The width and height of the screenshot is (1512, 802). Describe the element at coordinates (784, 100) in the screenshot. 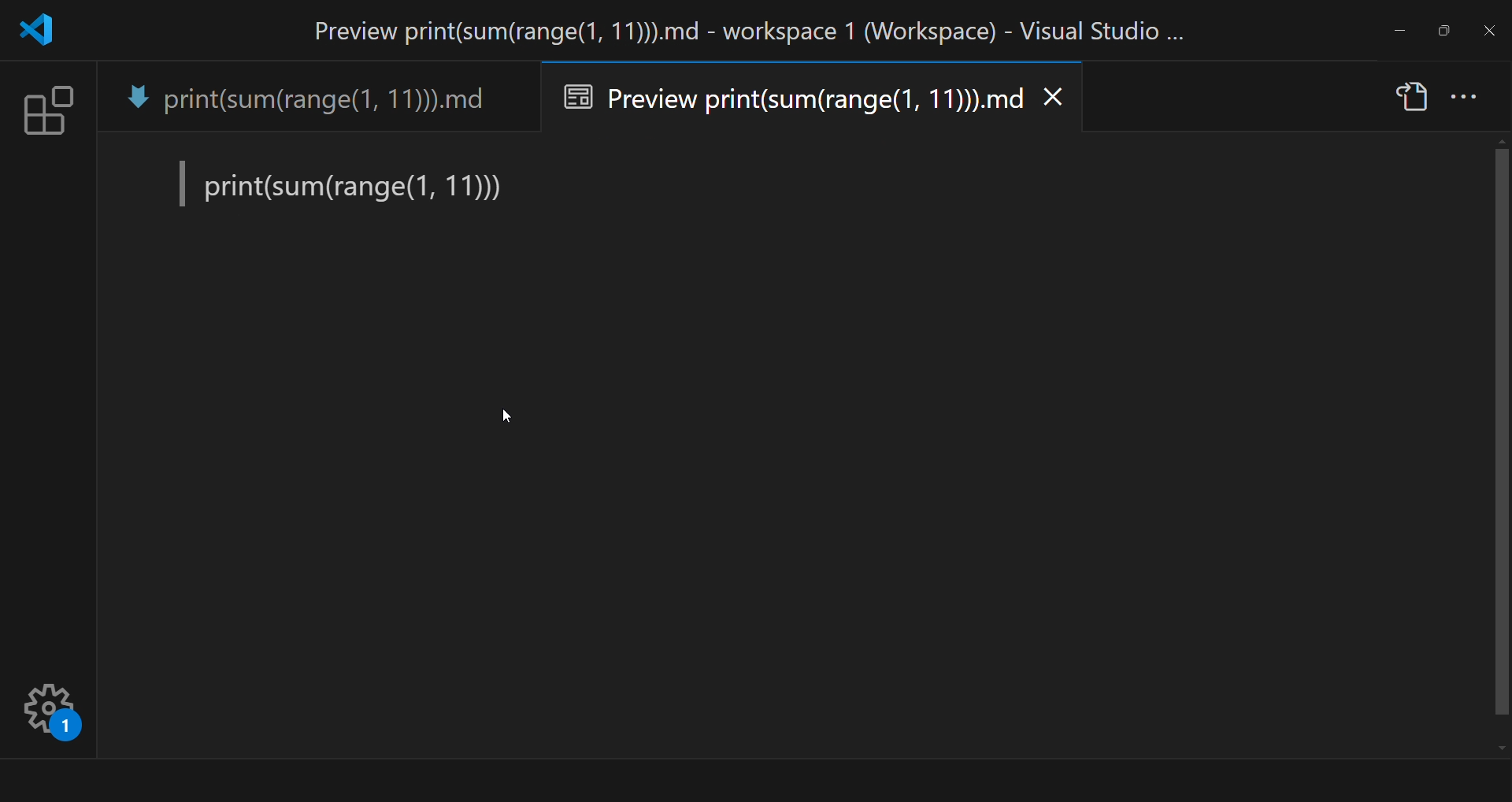

I see `preview tab name` at that location.